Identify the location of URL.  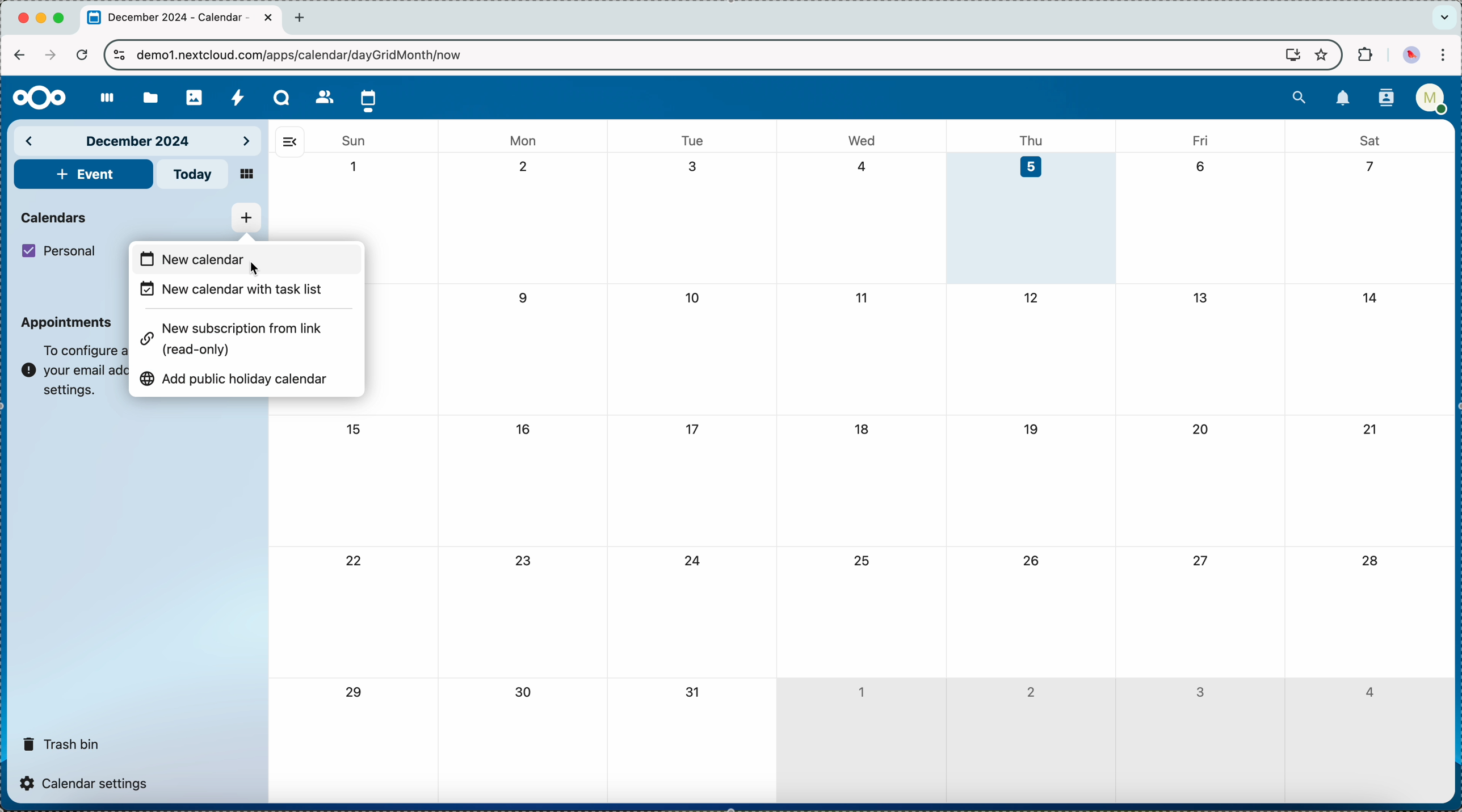
(309, 54).